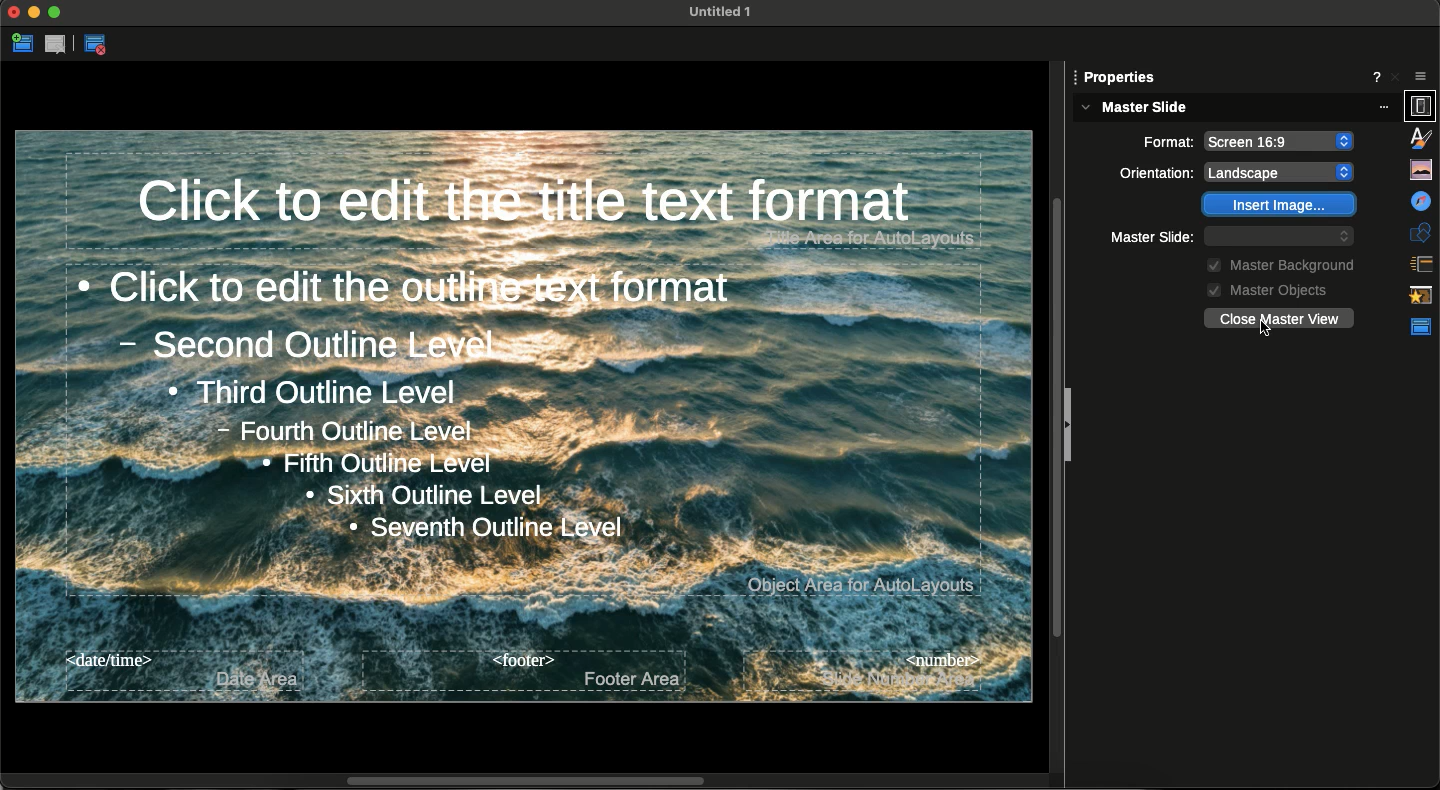 This screenshot has width=1440, height=790. I want to click on Landscape, so click(1282, 137).